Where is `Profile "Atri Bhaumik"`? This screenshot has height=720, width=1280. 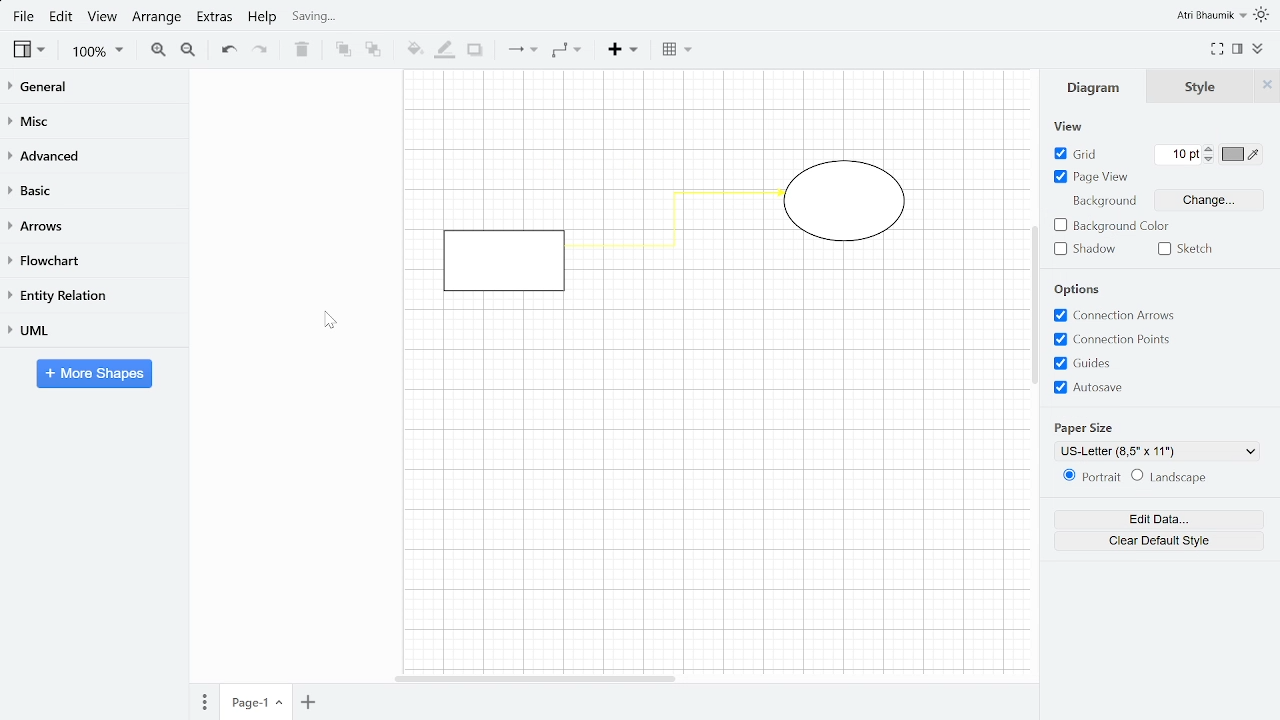 Profile "Atri Bhaumik" is located at coordinates (1212, 15).